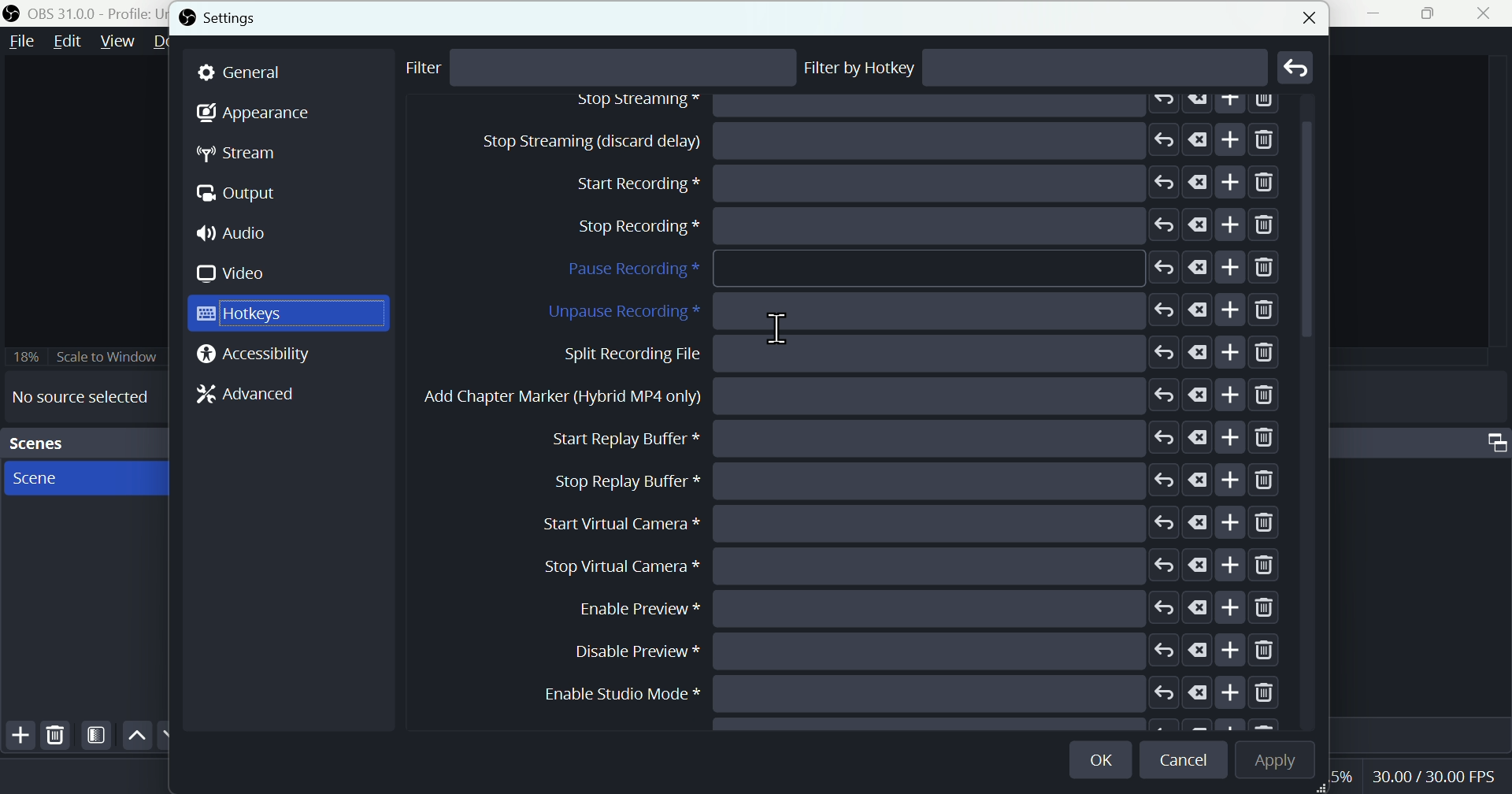  I want to click on Stop streaming, so click(873, 139).